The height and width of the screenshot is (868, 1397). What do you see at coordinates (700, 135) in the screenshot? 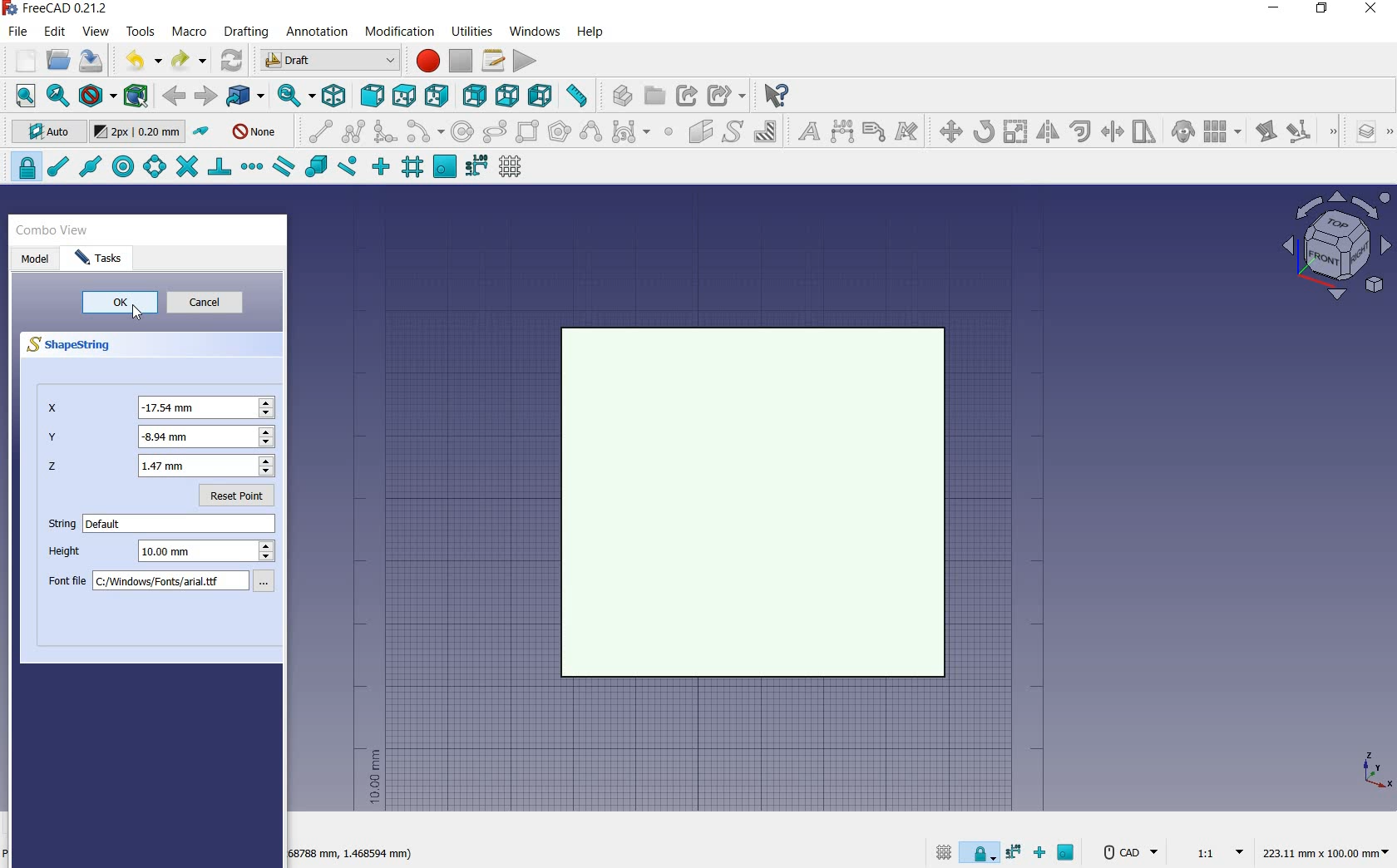
I see `facebinder` at bounding box center [700, 135].